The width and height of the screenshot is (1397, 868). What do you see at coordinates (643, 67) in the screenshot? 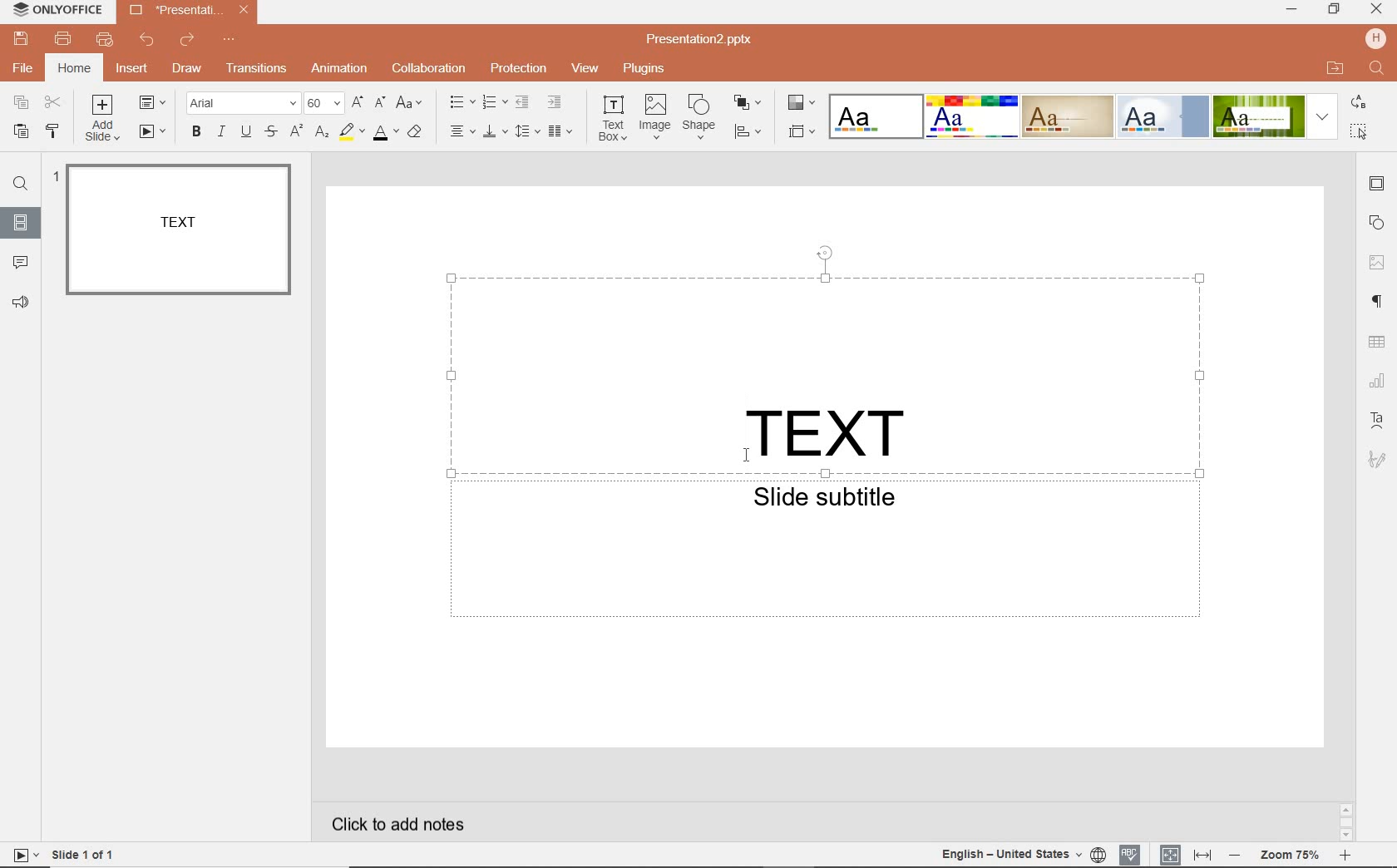
I see `PLUGINS` at bounding box center [643, 67].